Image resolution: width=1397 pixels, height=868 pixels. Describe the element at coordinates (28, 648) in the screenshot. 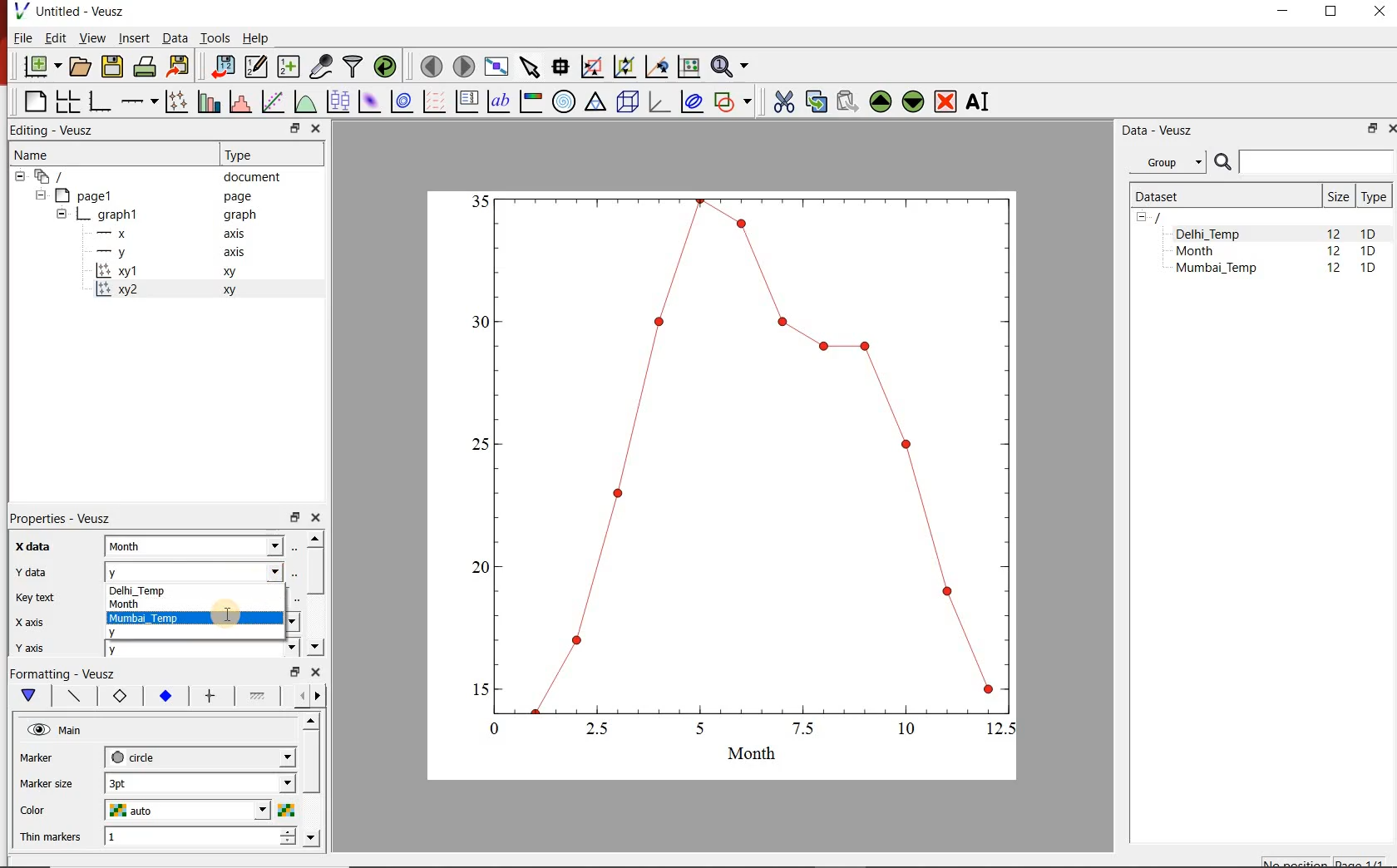

I see `y axis` at that location.